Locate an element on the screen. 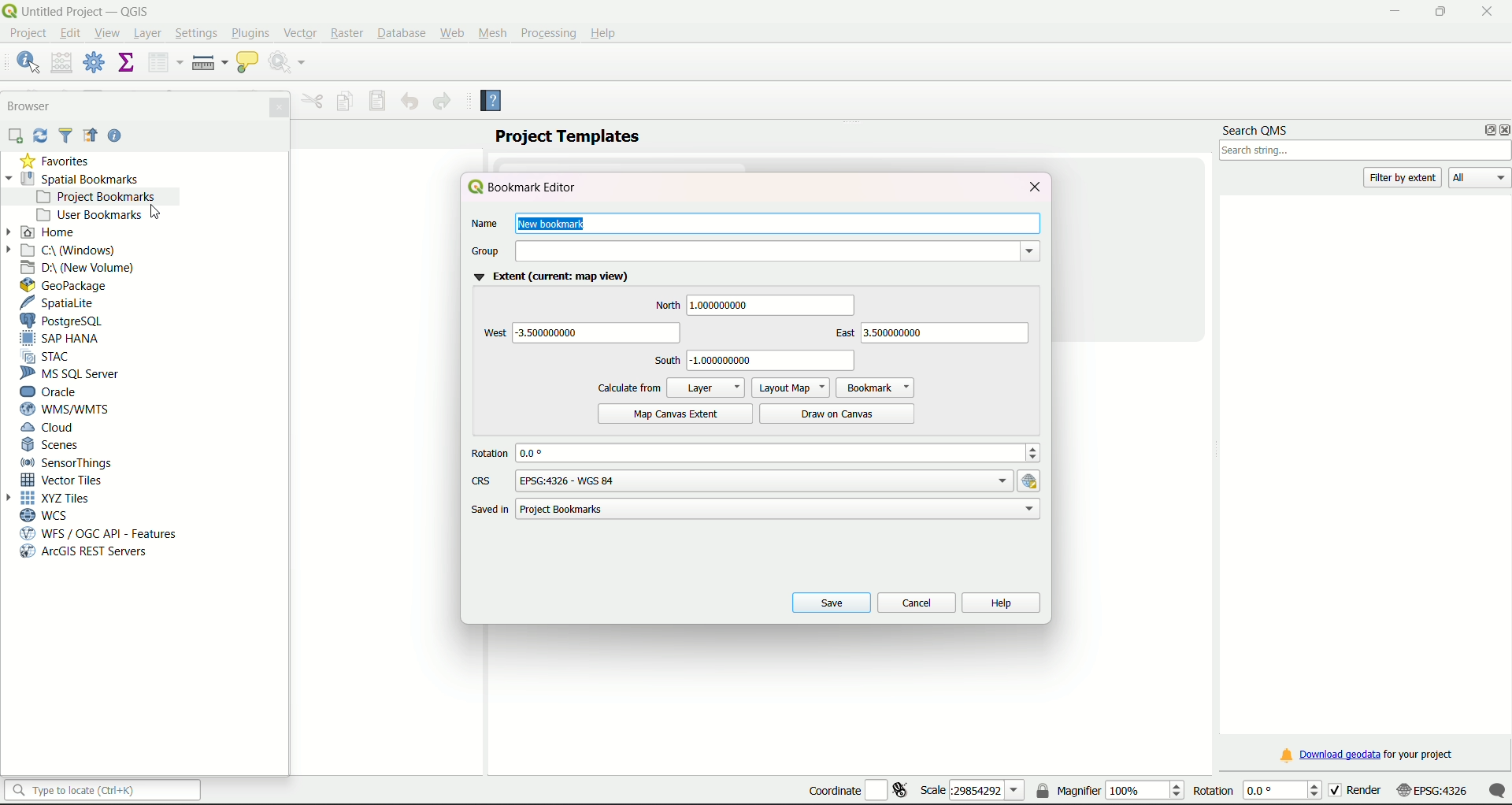 Image resolution: width=1512 pixels, height=805 pixels. Processing is located at coordinates (547, 33).